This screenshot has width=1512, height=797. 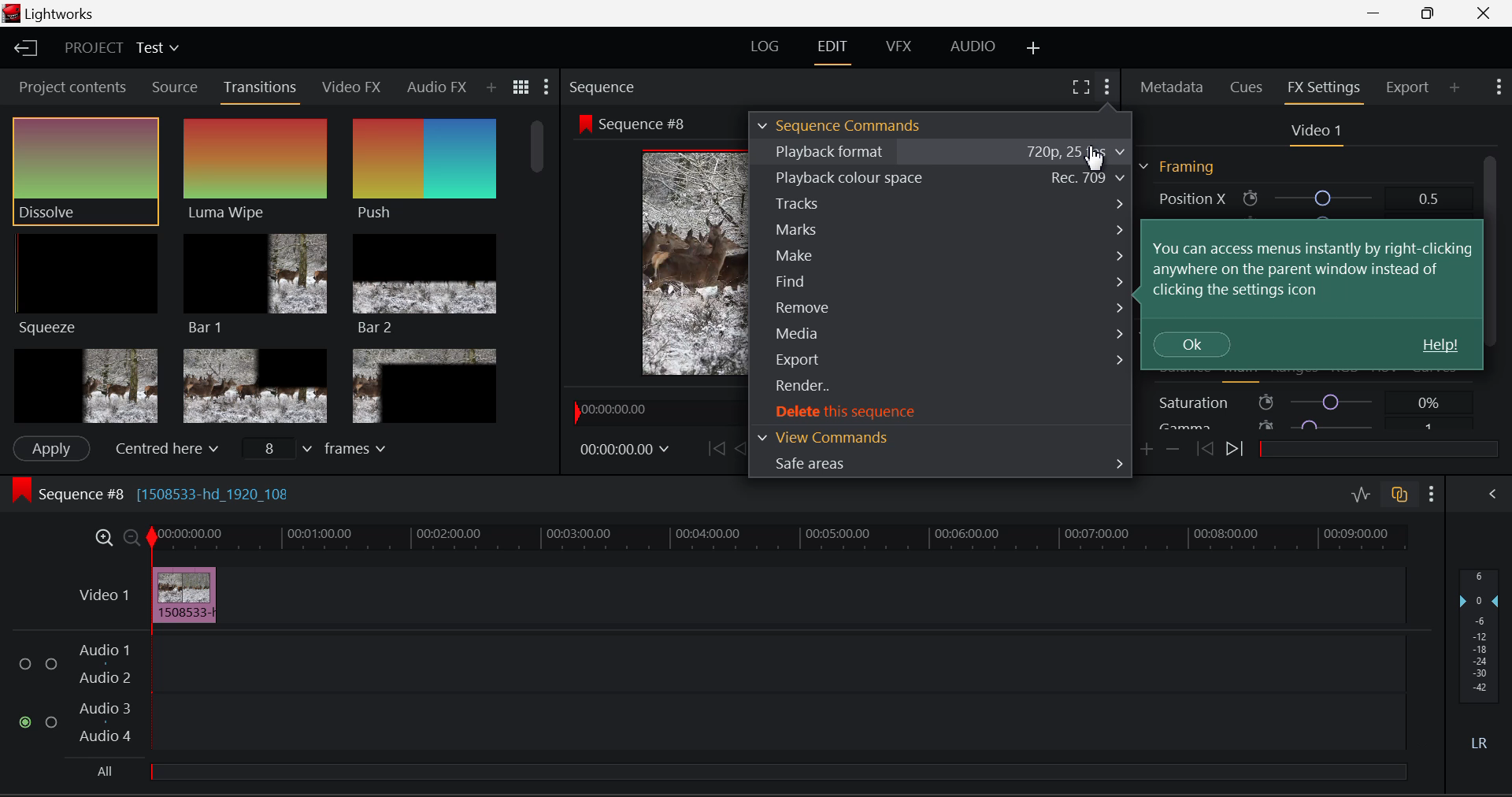 What do you see at coordinates (1490, 293) in the screenshot?
I see `Scroll Bar` at bounding box center [1490, 293].